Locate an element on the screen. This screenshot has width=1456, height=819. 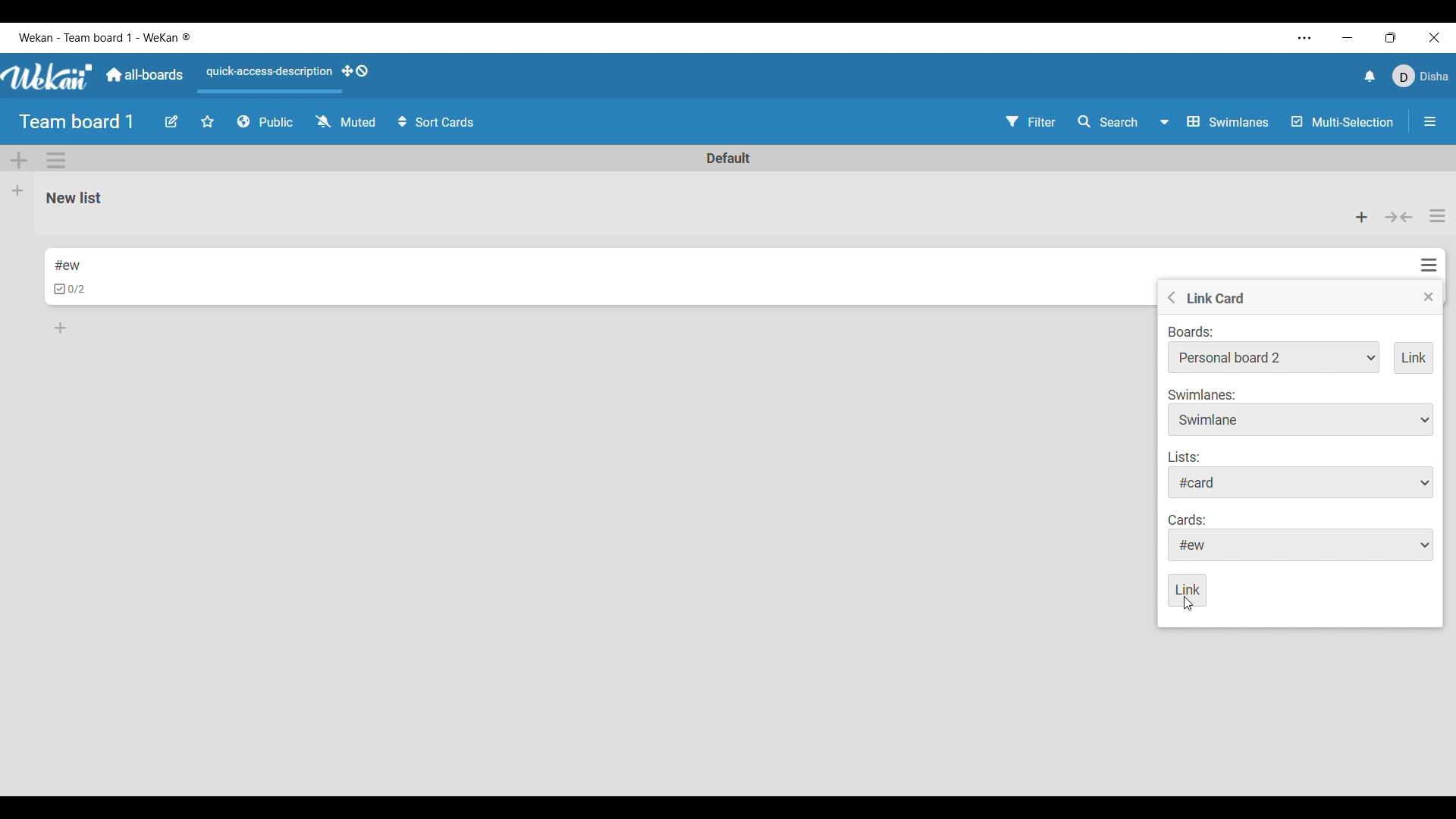
Indicates swimlane options to choose from is located at coordinates (1202, 394).